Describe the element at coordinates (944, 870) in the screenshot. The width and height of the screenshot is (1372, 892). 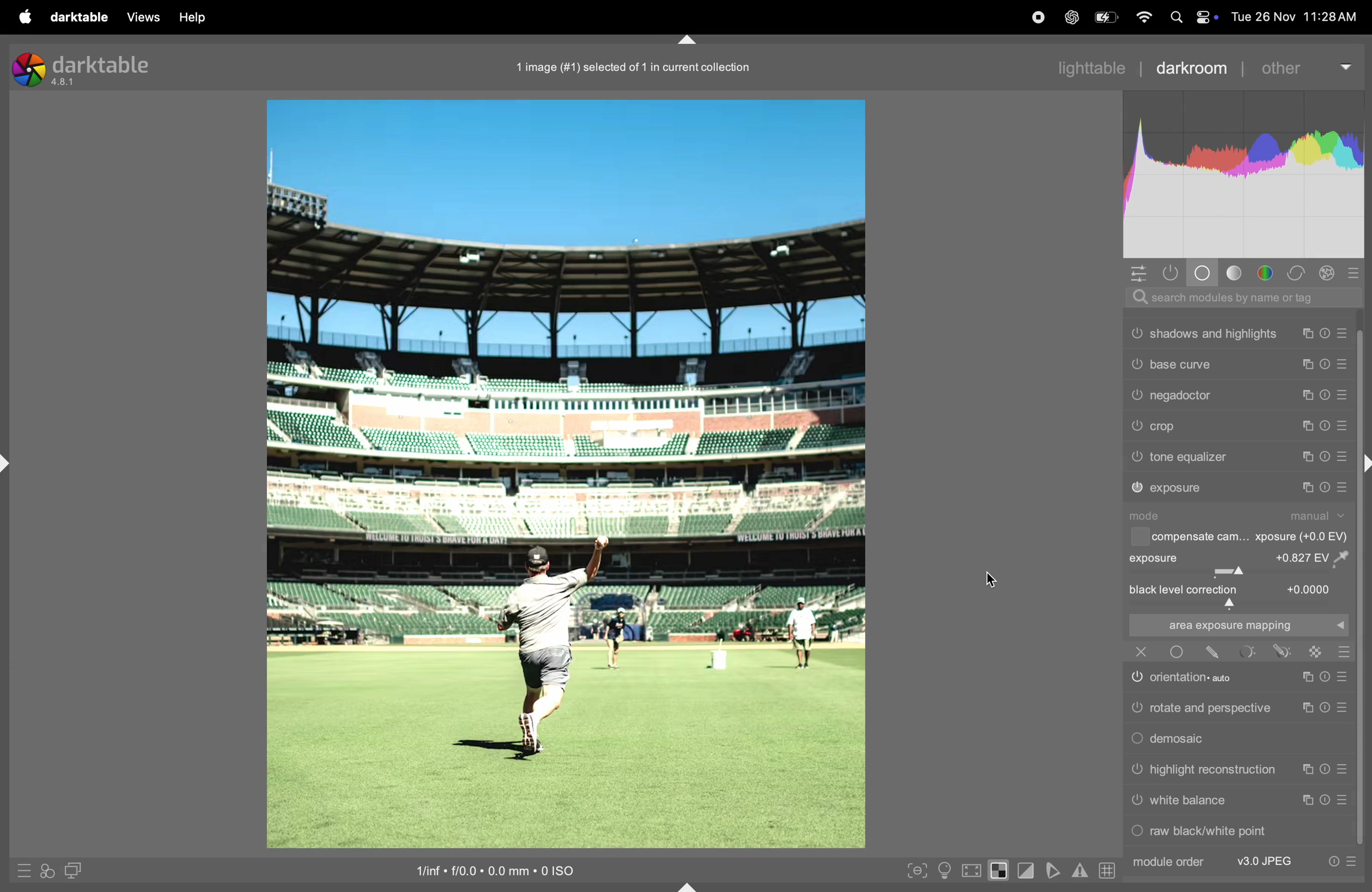
I see `toggle iso` at that location.